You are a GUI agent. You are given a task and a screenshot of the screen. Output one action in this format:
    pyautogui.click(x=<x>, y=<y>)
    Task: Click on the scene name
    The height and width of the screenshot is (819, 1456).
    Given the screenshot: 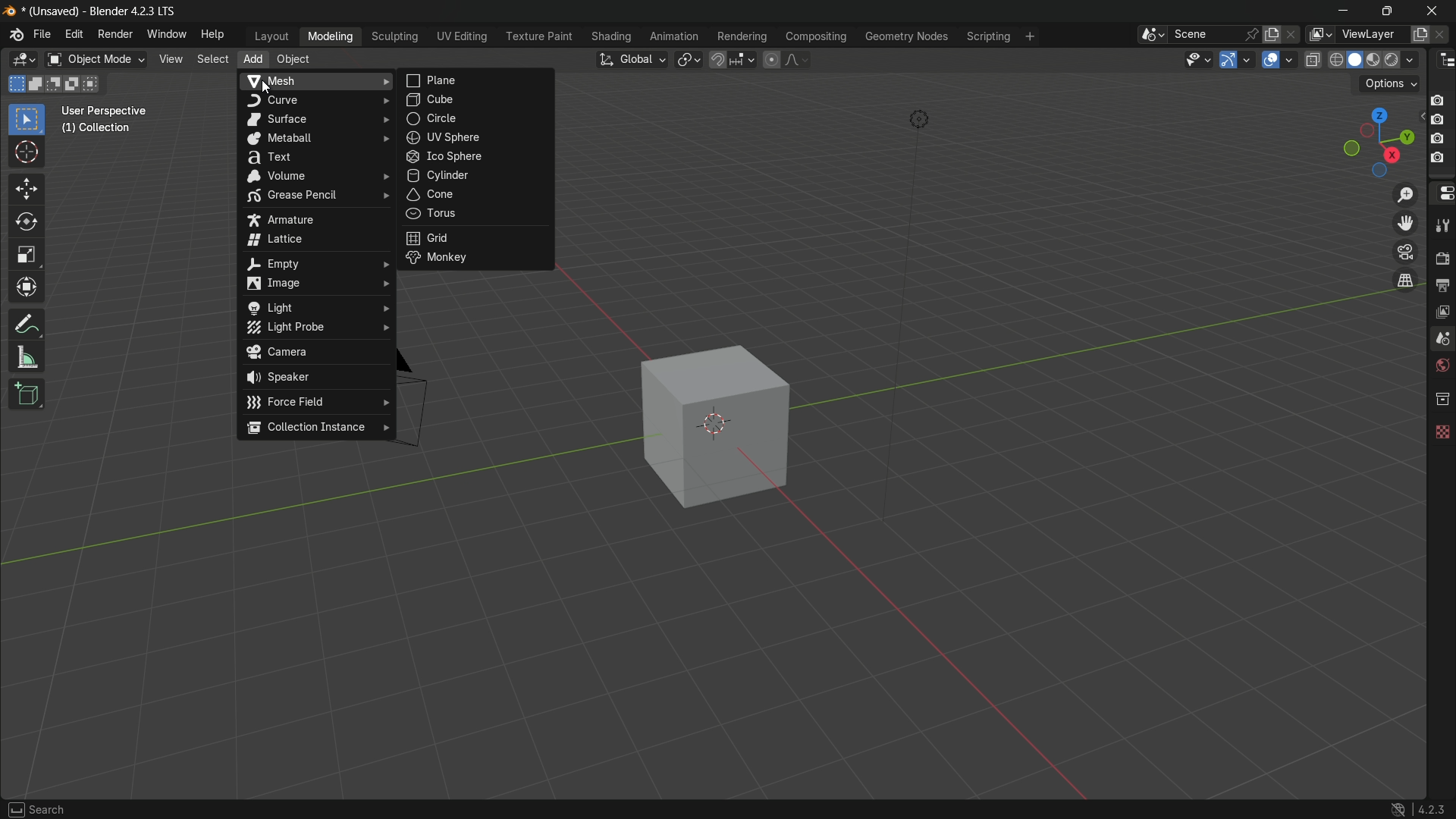 What is the action you would take?
    pyautogui.click(x=1203, y=35)
    